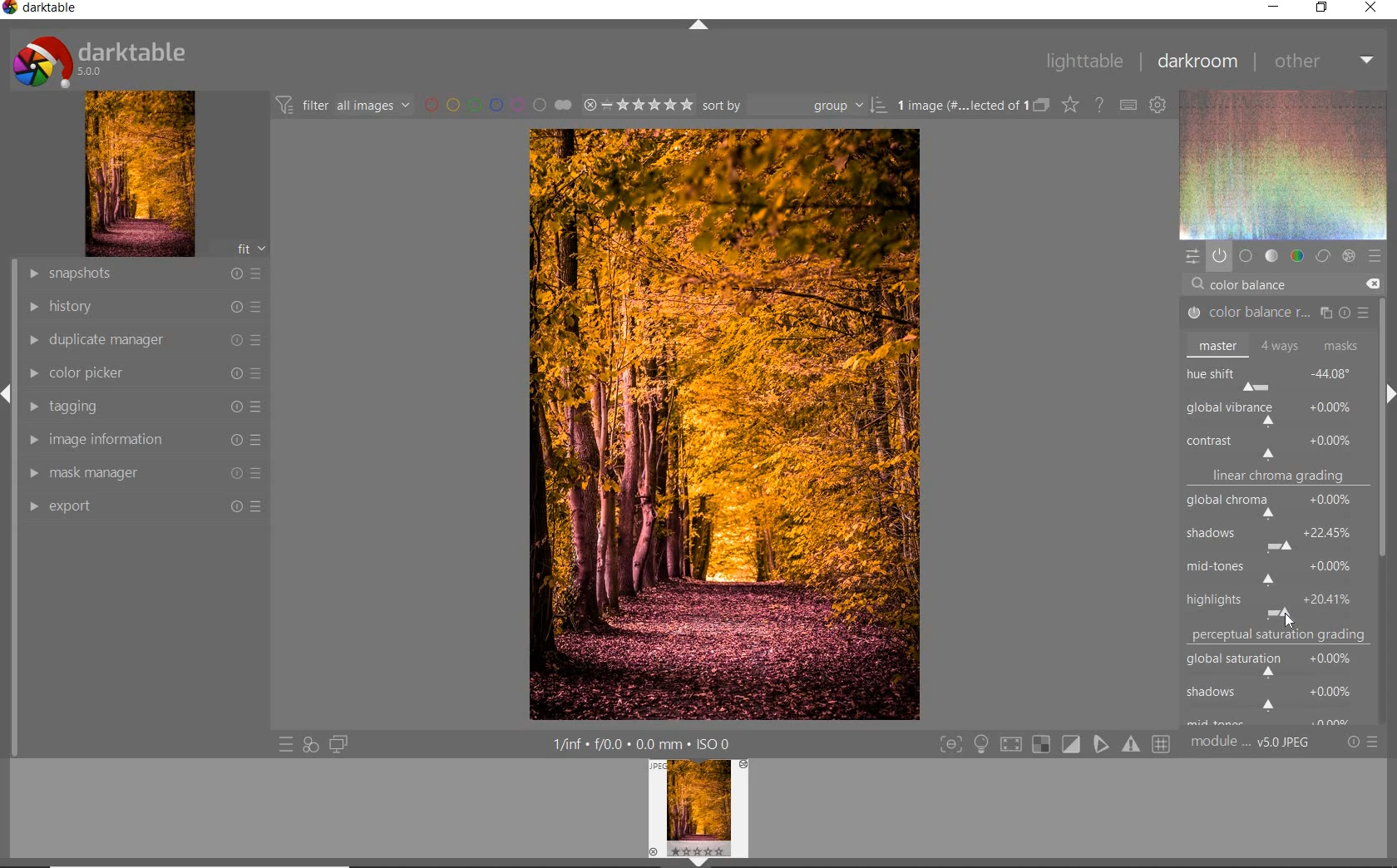 The height and width of the screenshot is (868, 1397). What do you see at coordinates (1128, 106) in the screenshot?
I see `define keyboard shortcut` at bounding box center [1128, 106].